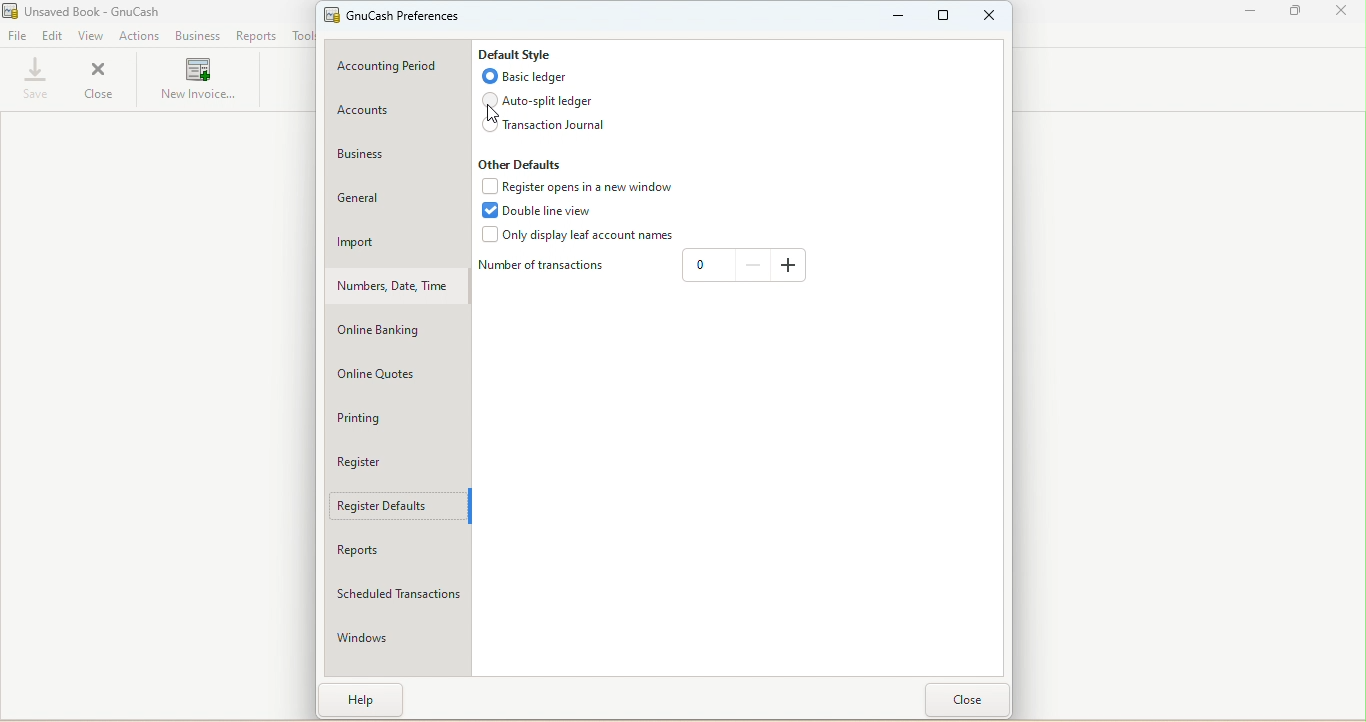  Describe the element at coordinates (558, 265) in the screenshot. I see `Number of transaction` at that location.